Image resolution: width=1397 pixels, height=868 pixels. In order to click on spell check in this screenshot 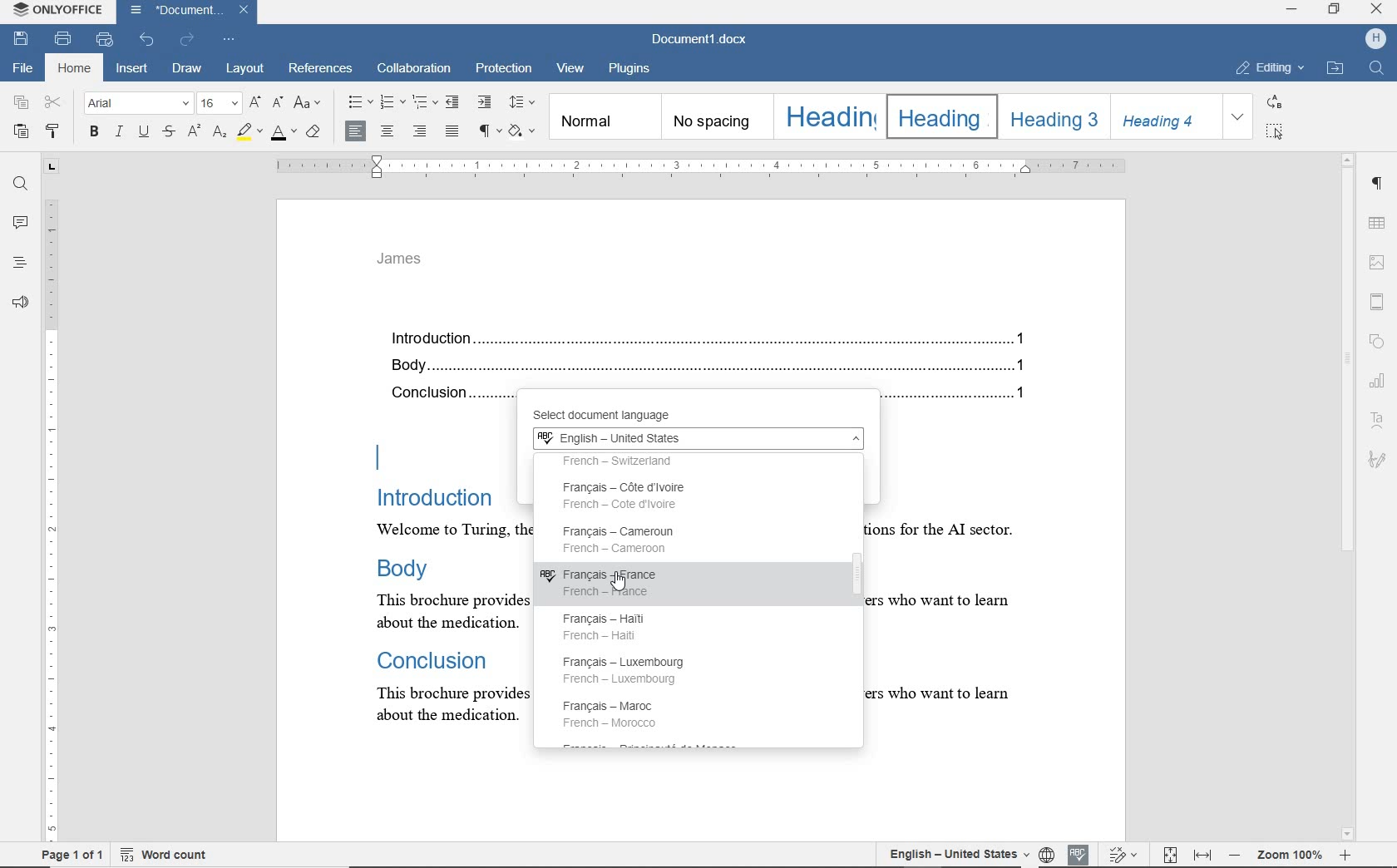, I will do `click(1075, 852)`.